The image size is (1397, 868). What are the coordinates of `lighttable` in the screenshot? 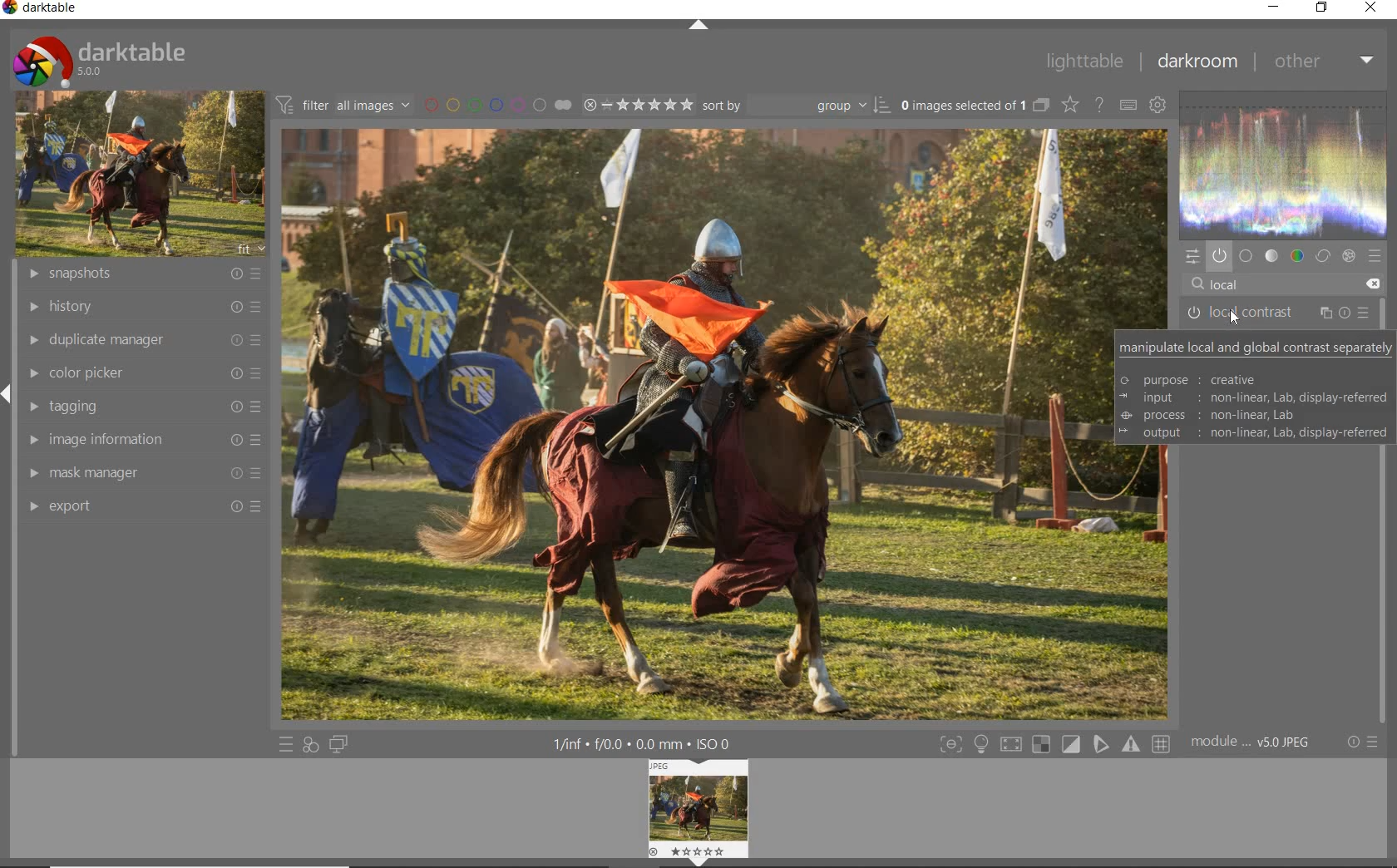 It's located at (1086, 61).